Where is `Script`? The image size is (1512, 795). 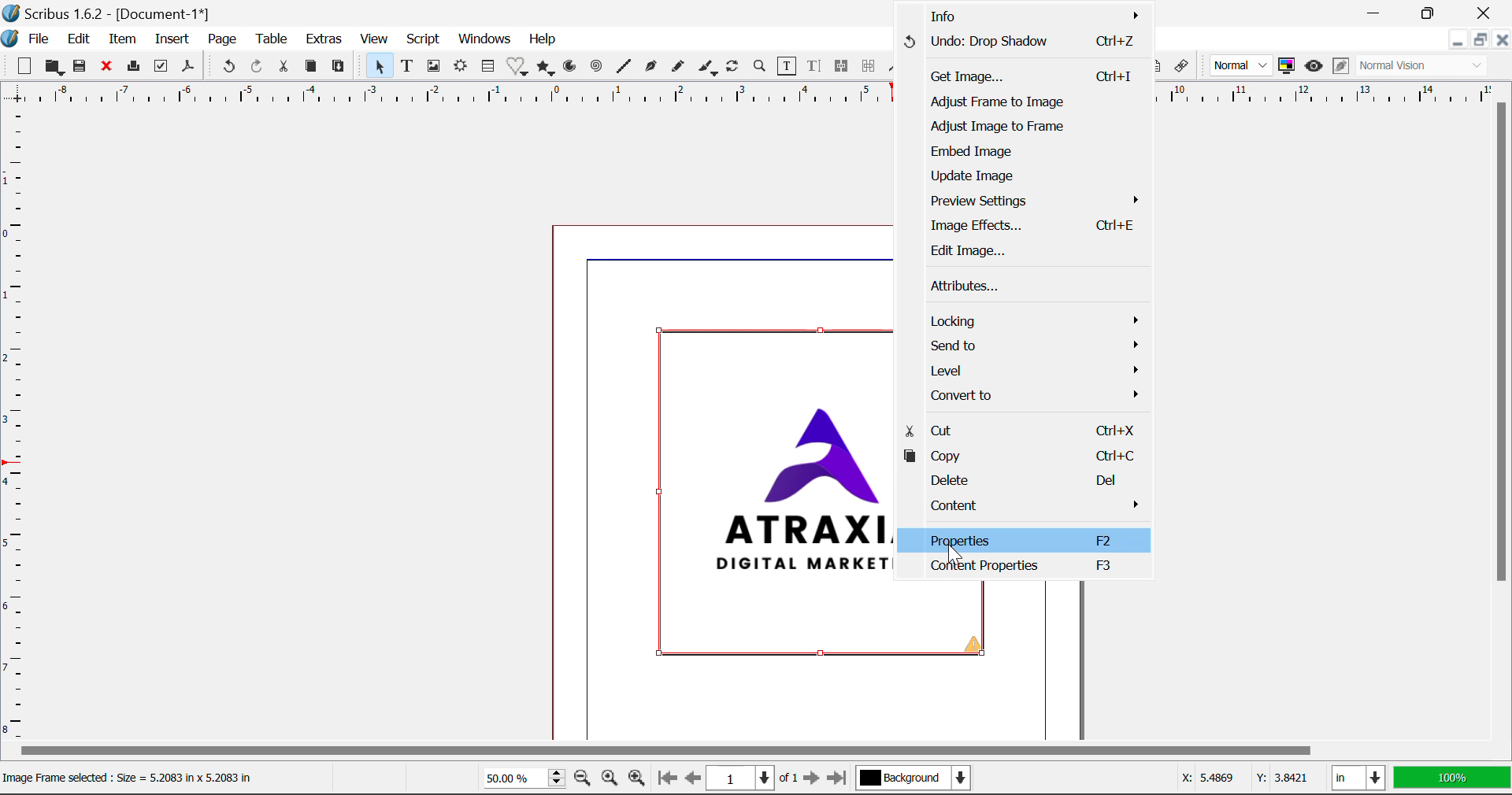
Script is located at coordinates (424, 38).